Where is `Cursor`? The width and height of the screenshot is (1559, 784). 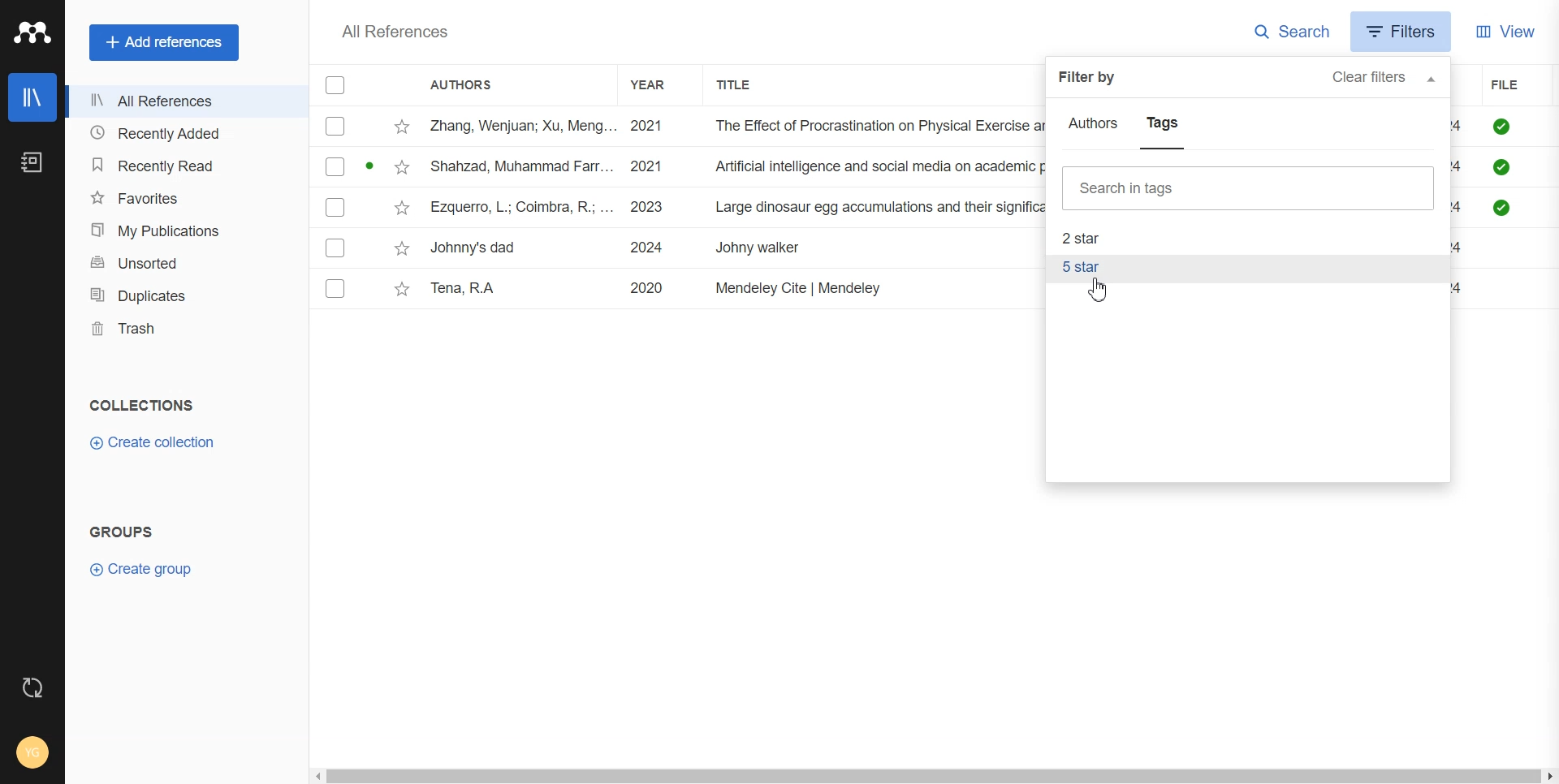 Cursor is located at coordinates (1100, 292).